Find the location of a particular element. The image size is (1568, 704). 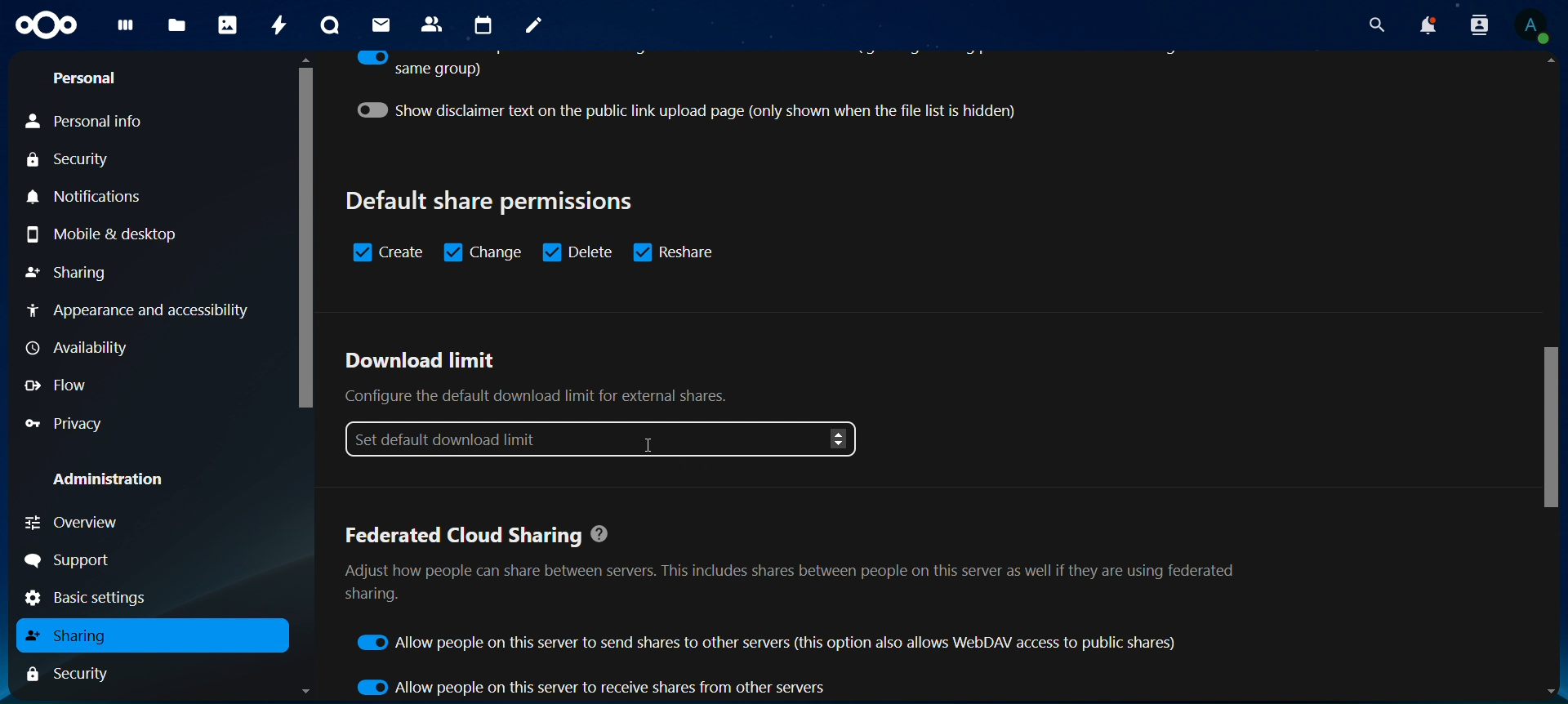

show disclaimer text on the public link upload page is located at coordinates (706, 110).